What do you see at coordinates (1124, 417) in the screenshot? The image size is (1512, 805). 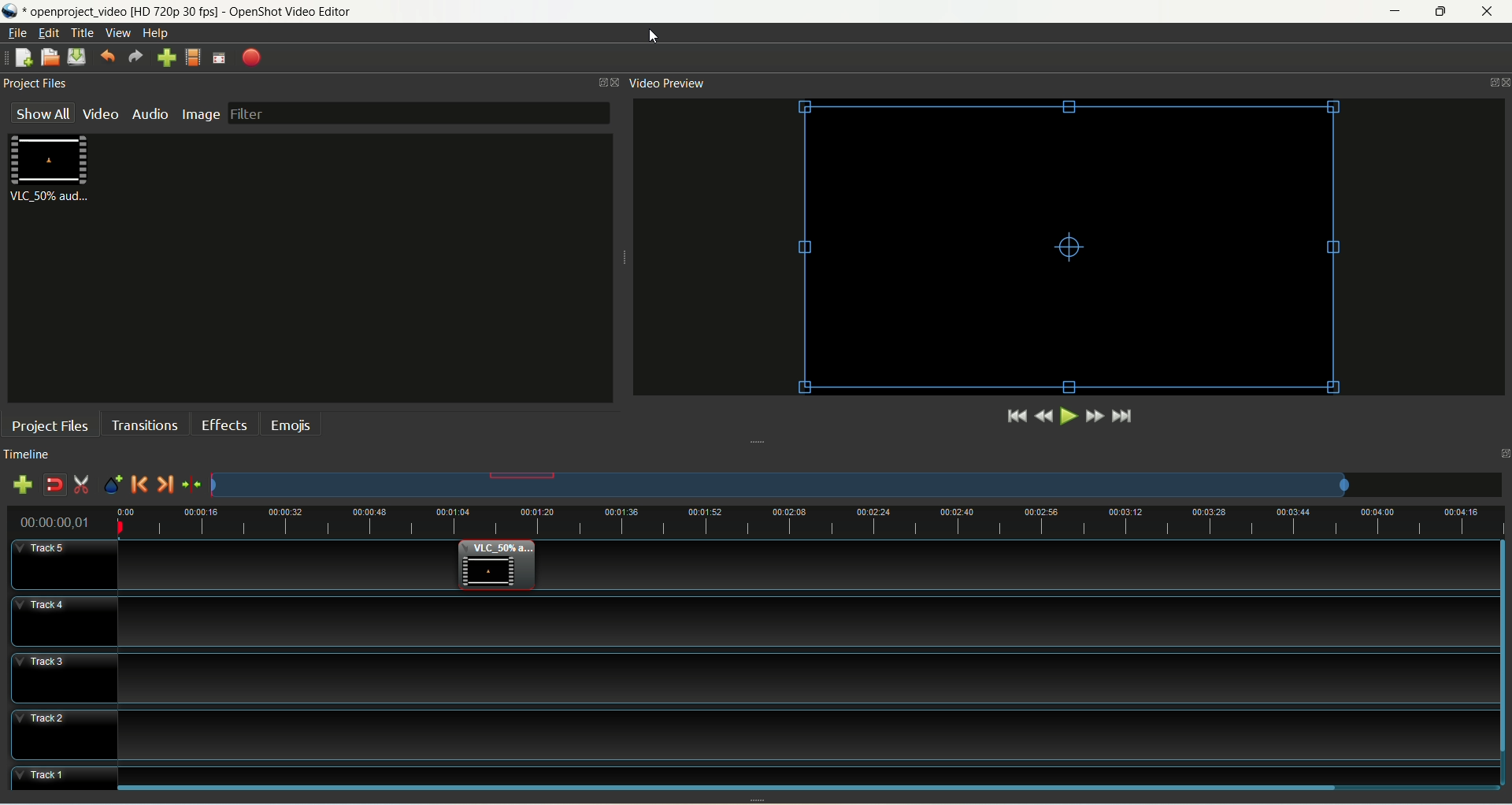 I see `jump to end` at bounding box center [1124, 417].